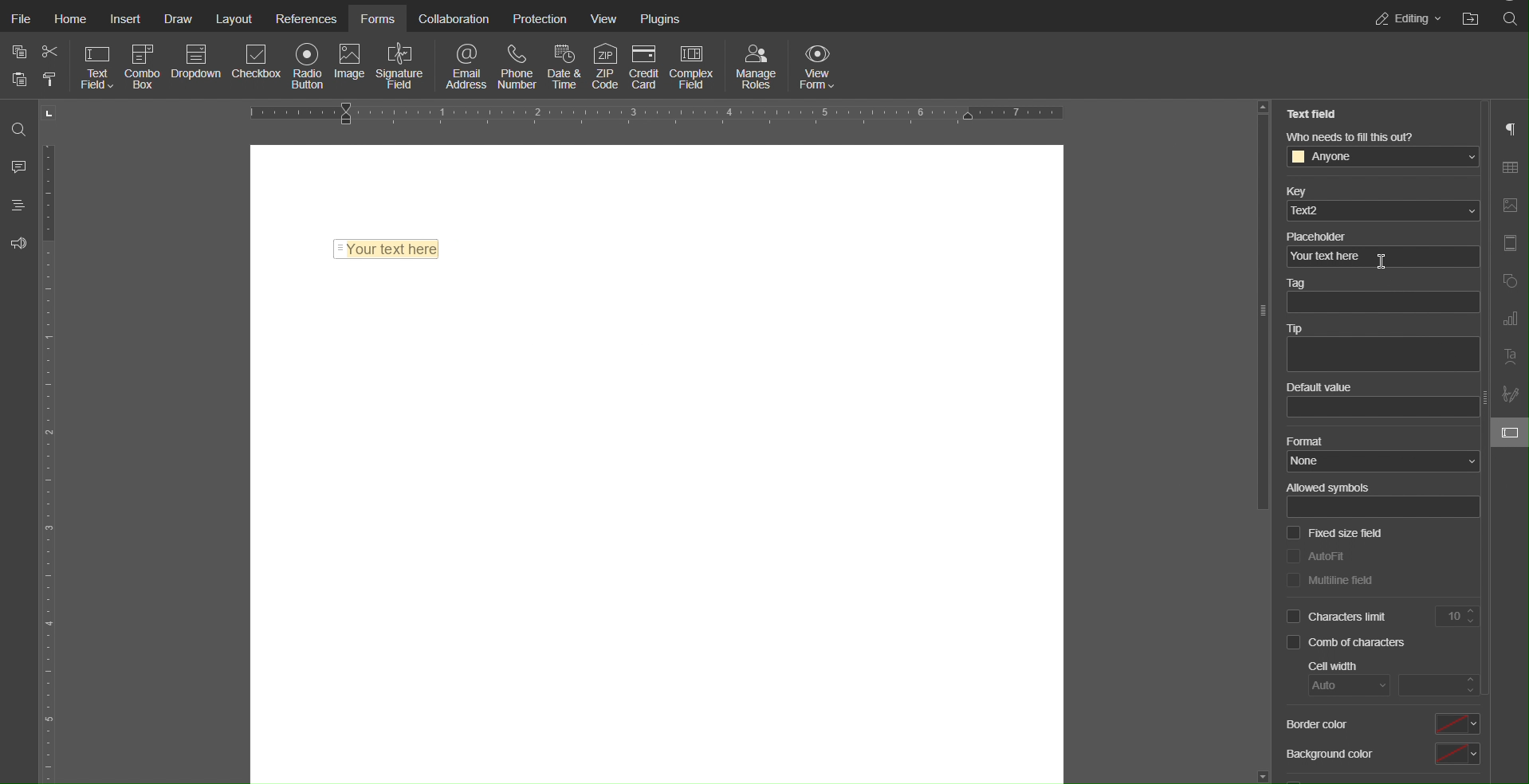 Image resolution: width=1529 pixels, height=784 pixels. I want to click on Key, so click(1379, 202).